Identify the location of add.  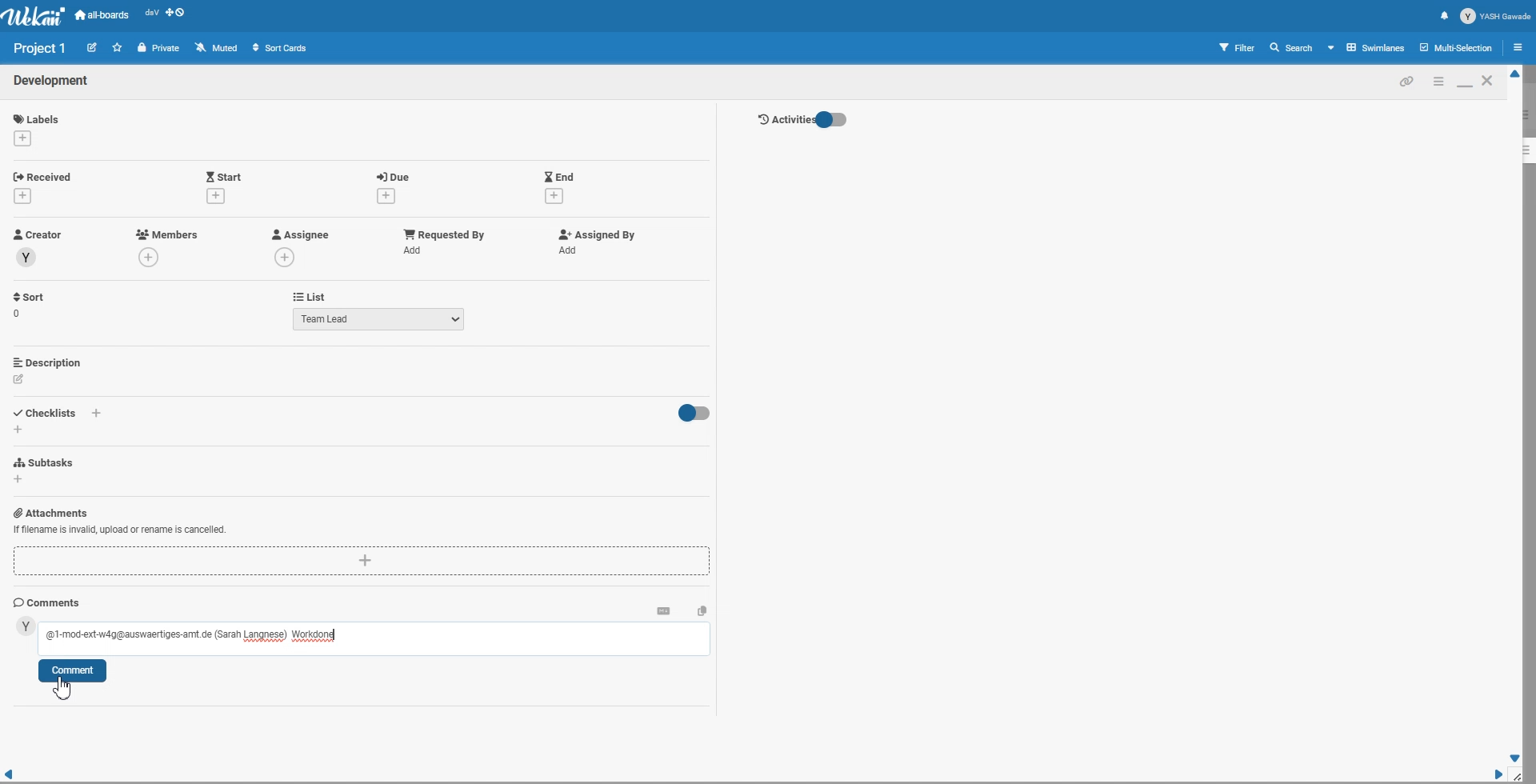
(215, 195).